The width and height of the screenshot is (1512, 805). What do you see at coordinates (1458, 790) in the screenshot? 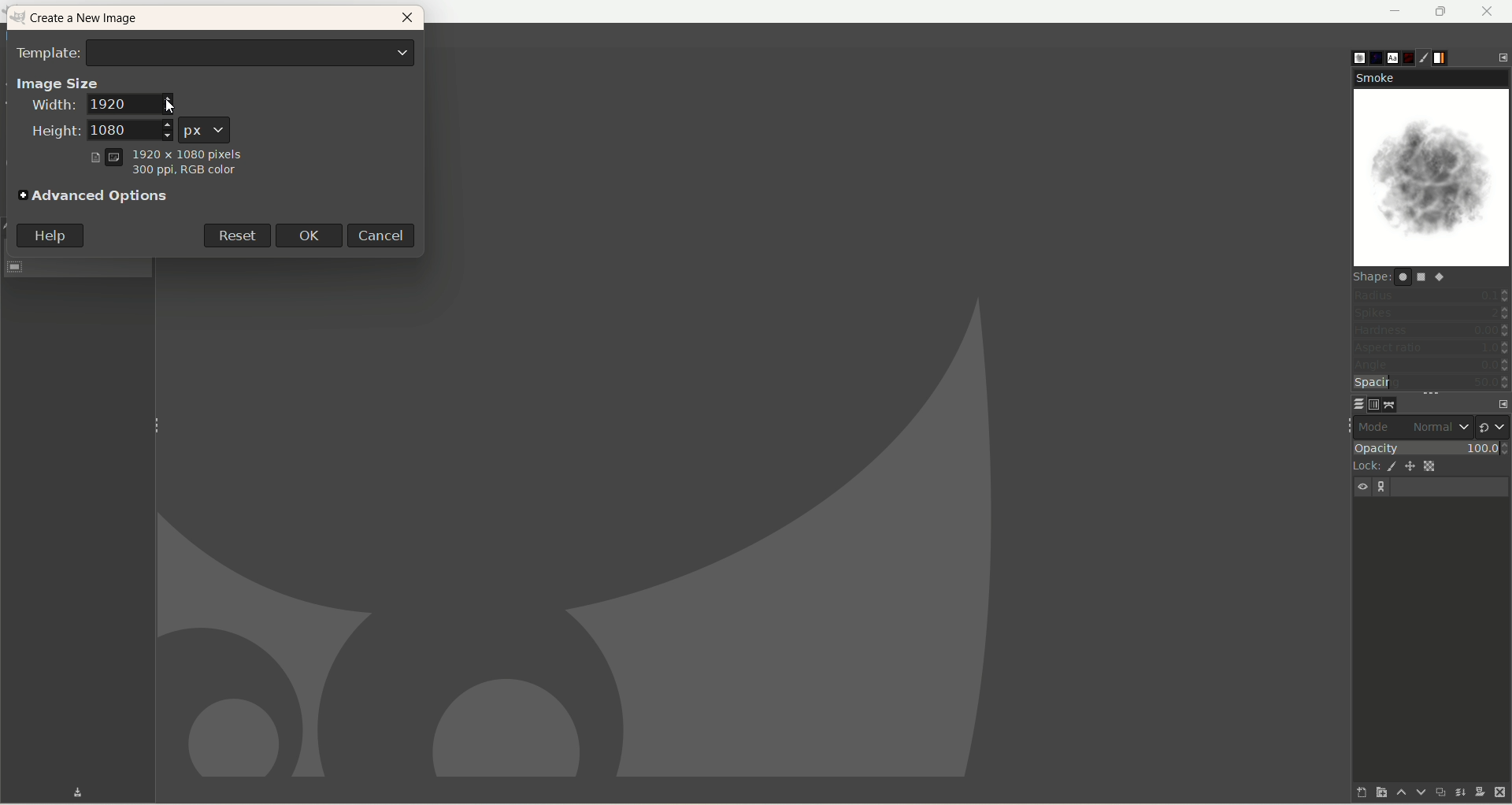
I see `merge this layer` at bounding box center [1458, 790].